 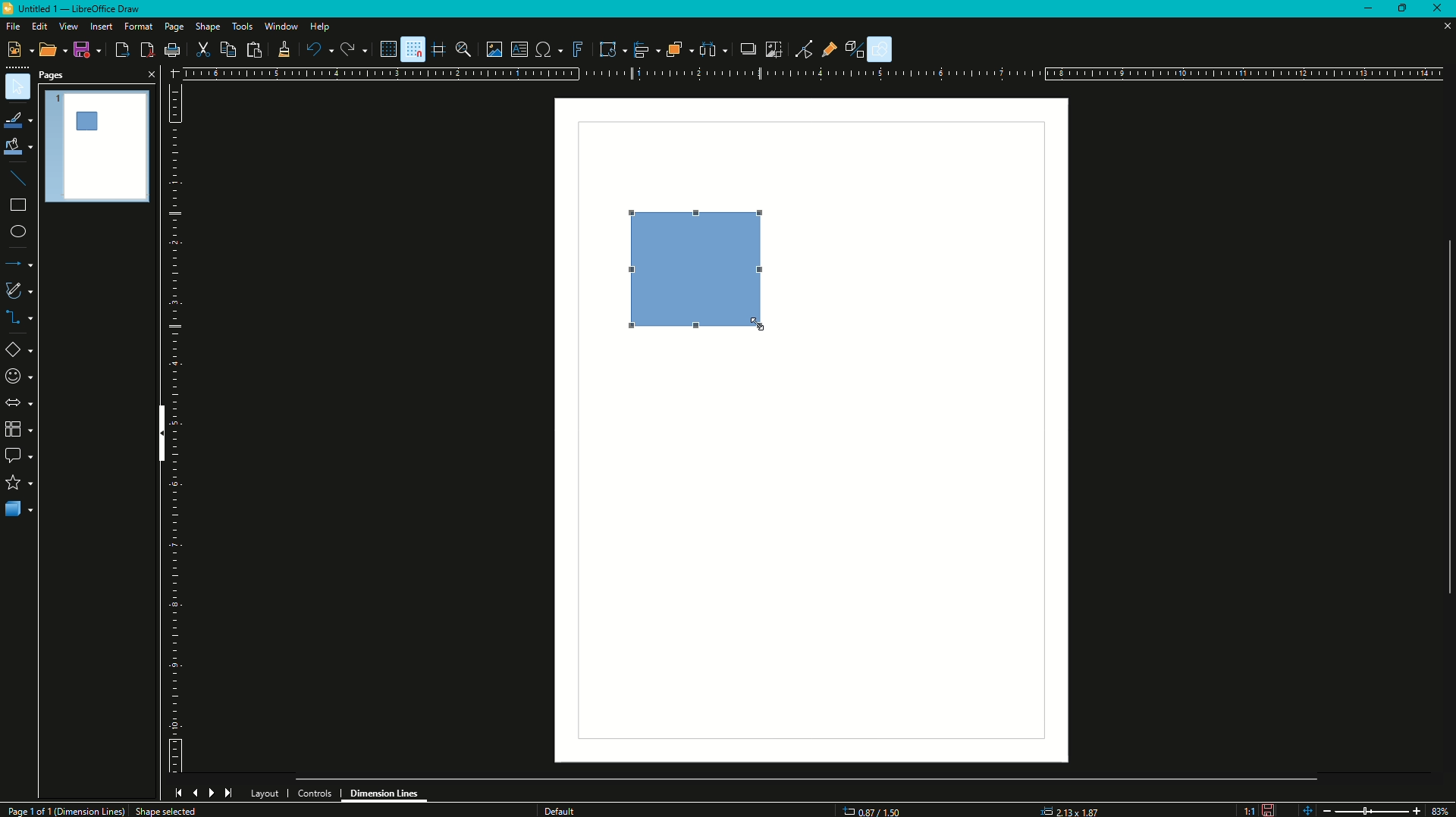 What do you see at coordinates (519, 49) in the screenshot?
I see `Insert Text Box` at bounding box center [519, 49].